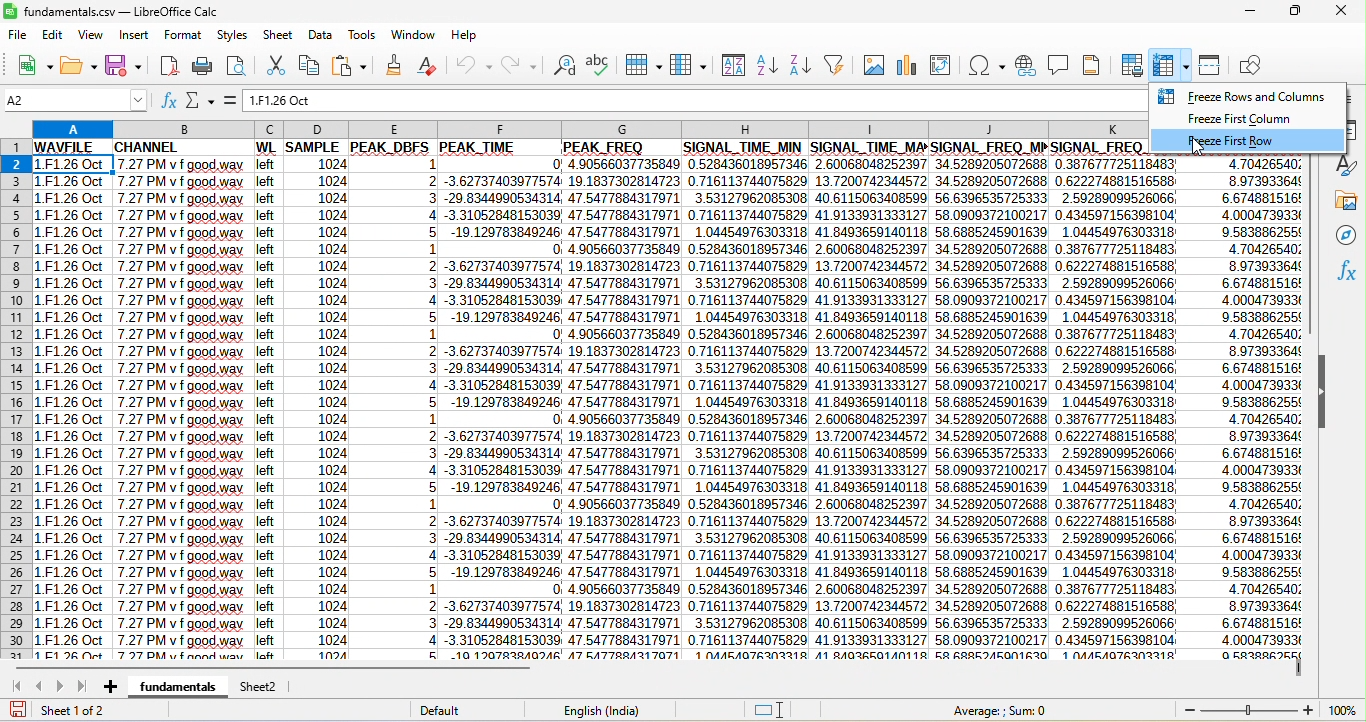 The height and width of the screenshot is (722, 1366). What do you see at coordinates (80, 67) in the screenshot?
I see `open` at bounding box center [80, 67].